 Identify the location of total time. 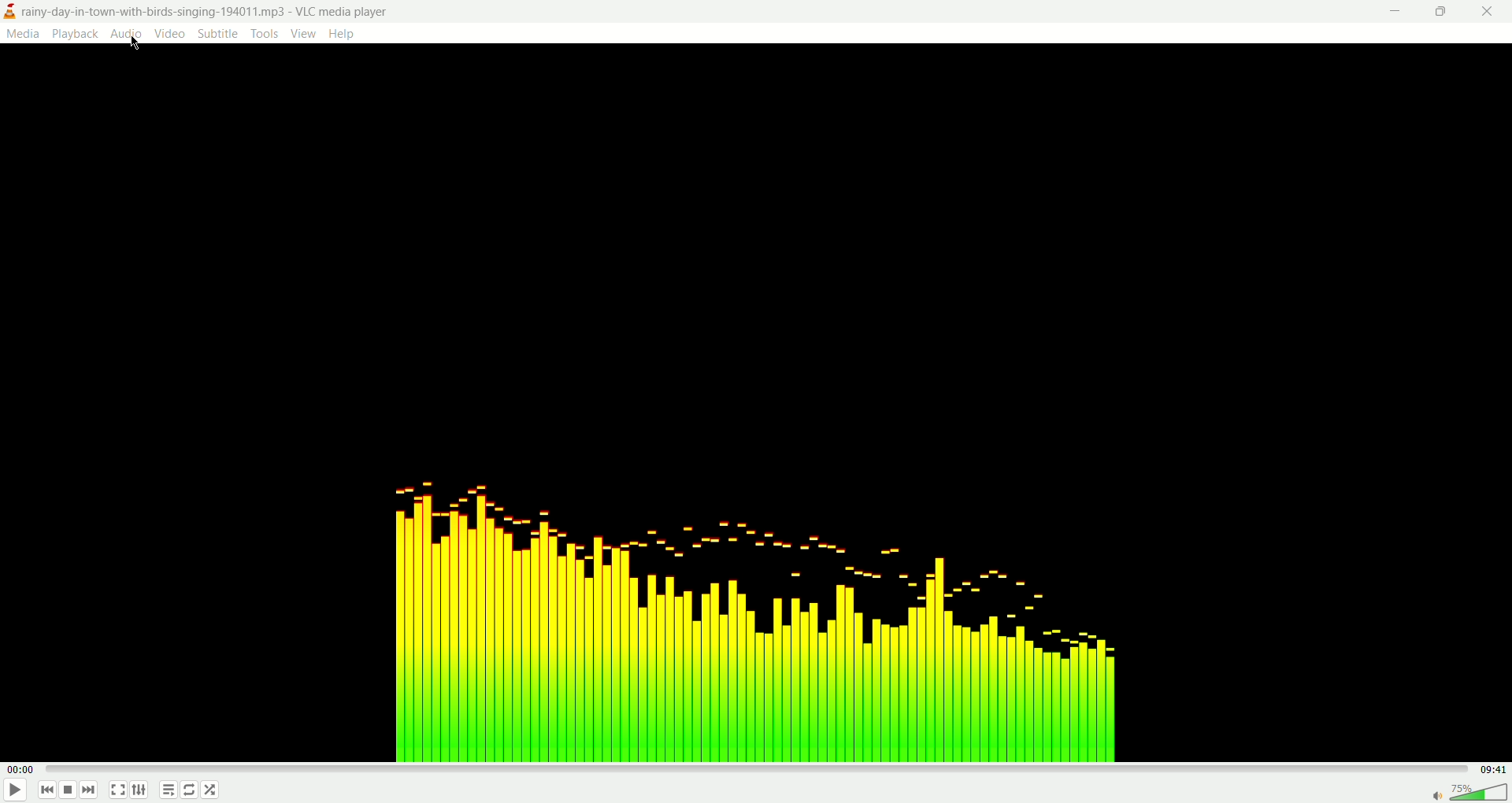
(1494, 768).